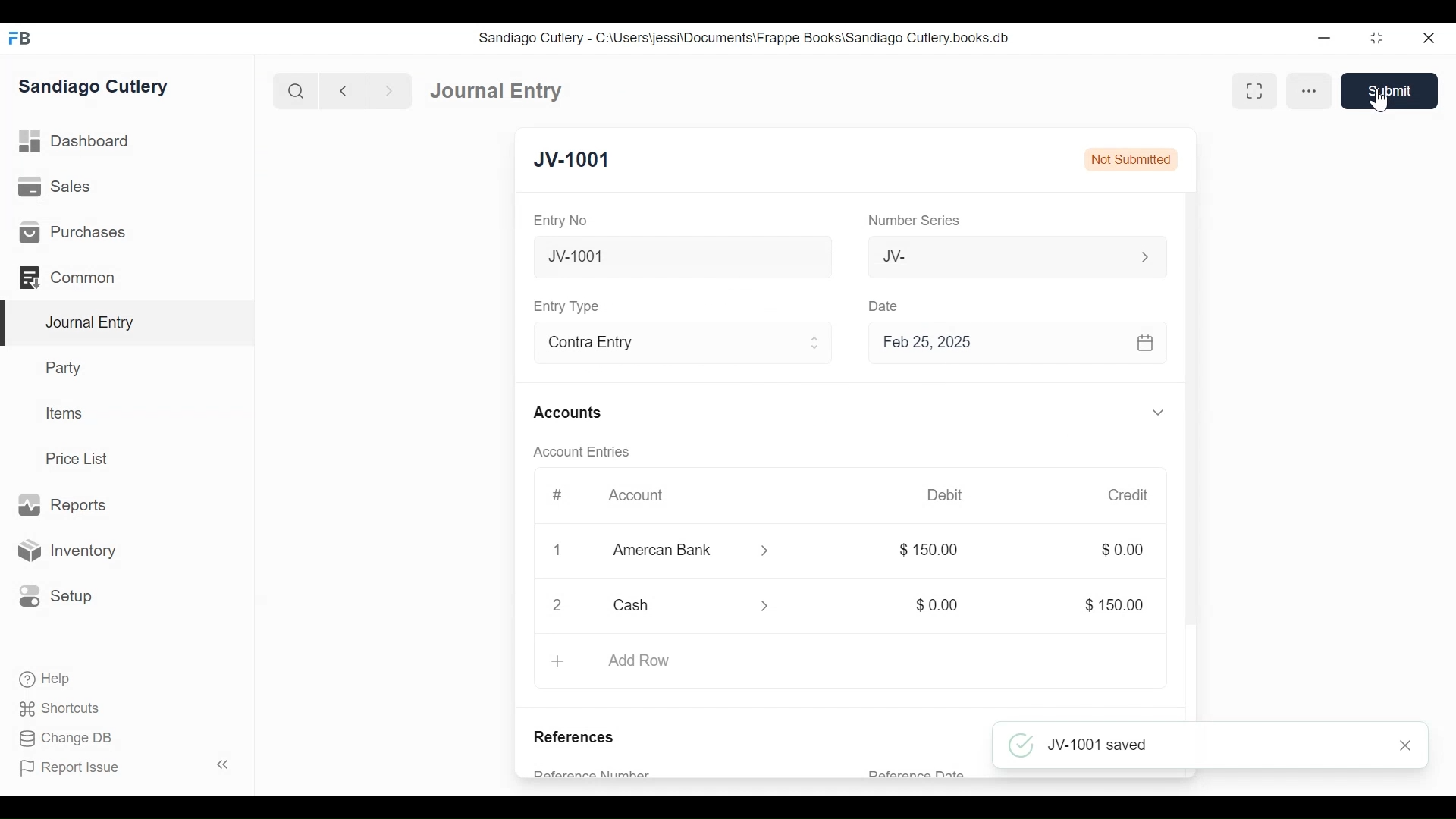  Describe the element at coordinates (1307, 90) in the screenshot. I see `more` at that location.